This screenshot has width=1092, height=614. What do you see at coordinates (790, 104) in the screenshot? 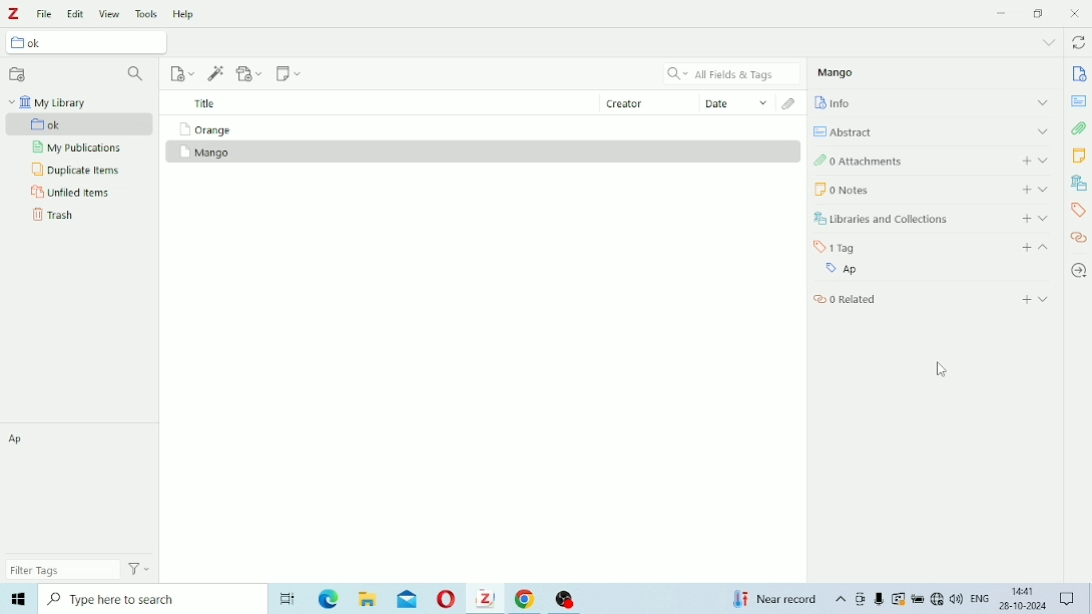
I see `Attachments` at bounding box center [790, 104].